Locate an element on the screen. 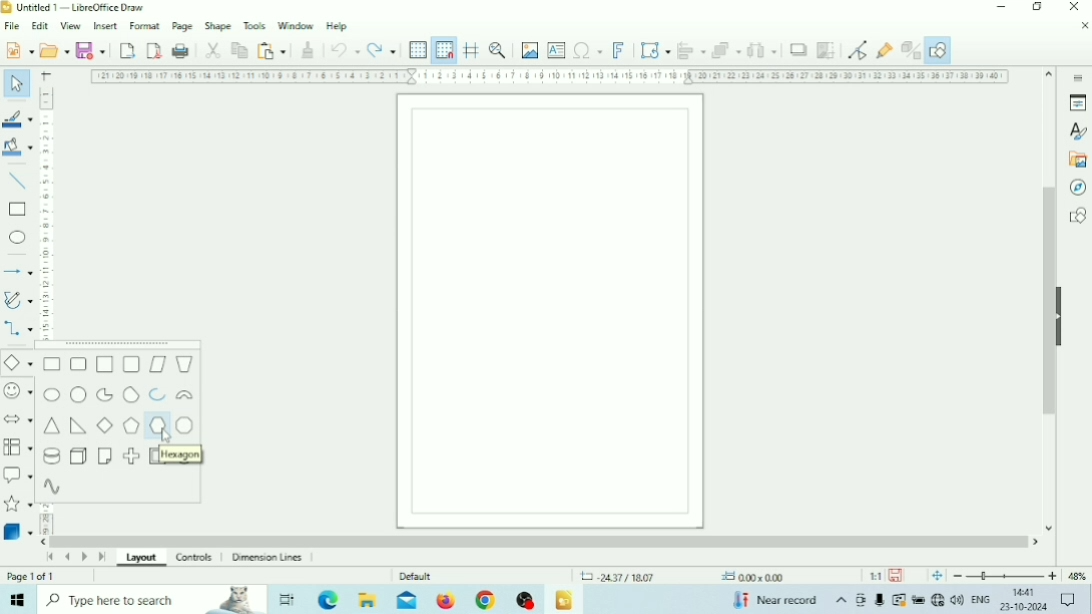 This screenshot has width=1092, height=614. Layout is located at coordinates (142, 560).